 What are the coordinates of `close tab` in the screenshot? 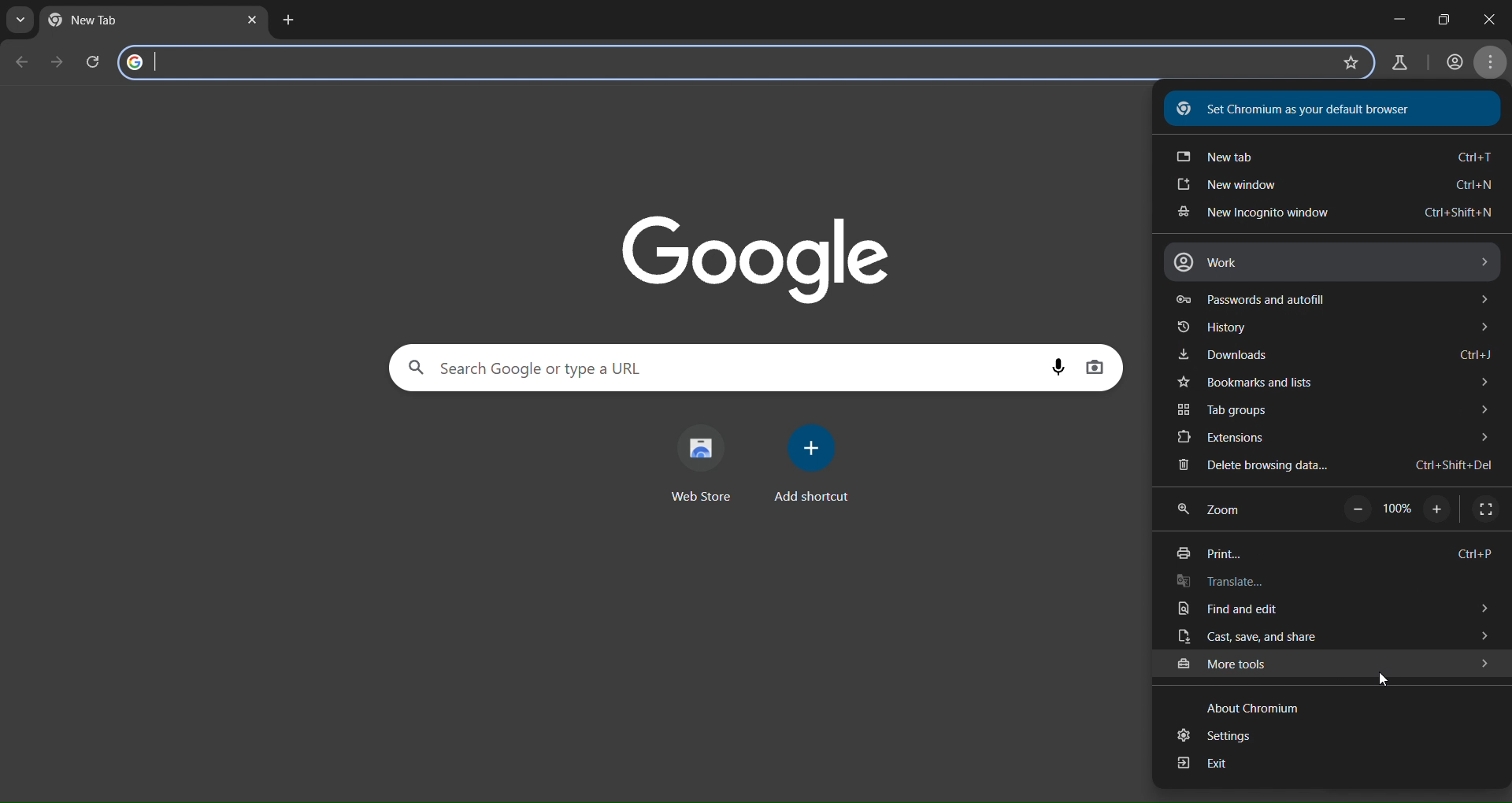 It's located at (253, 21).